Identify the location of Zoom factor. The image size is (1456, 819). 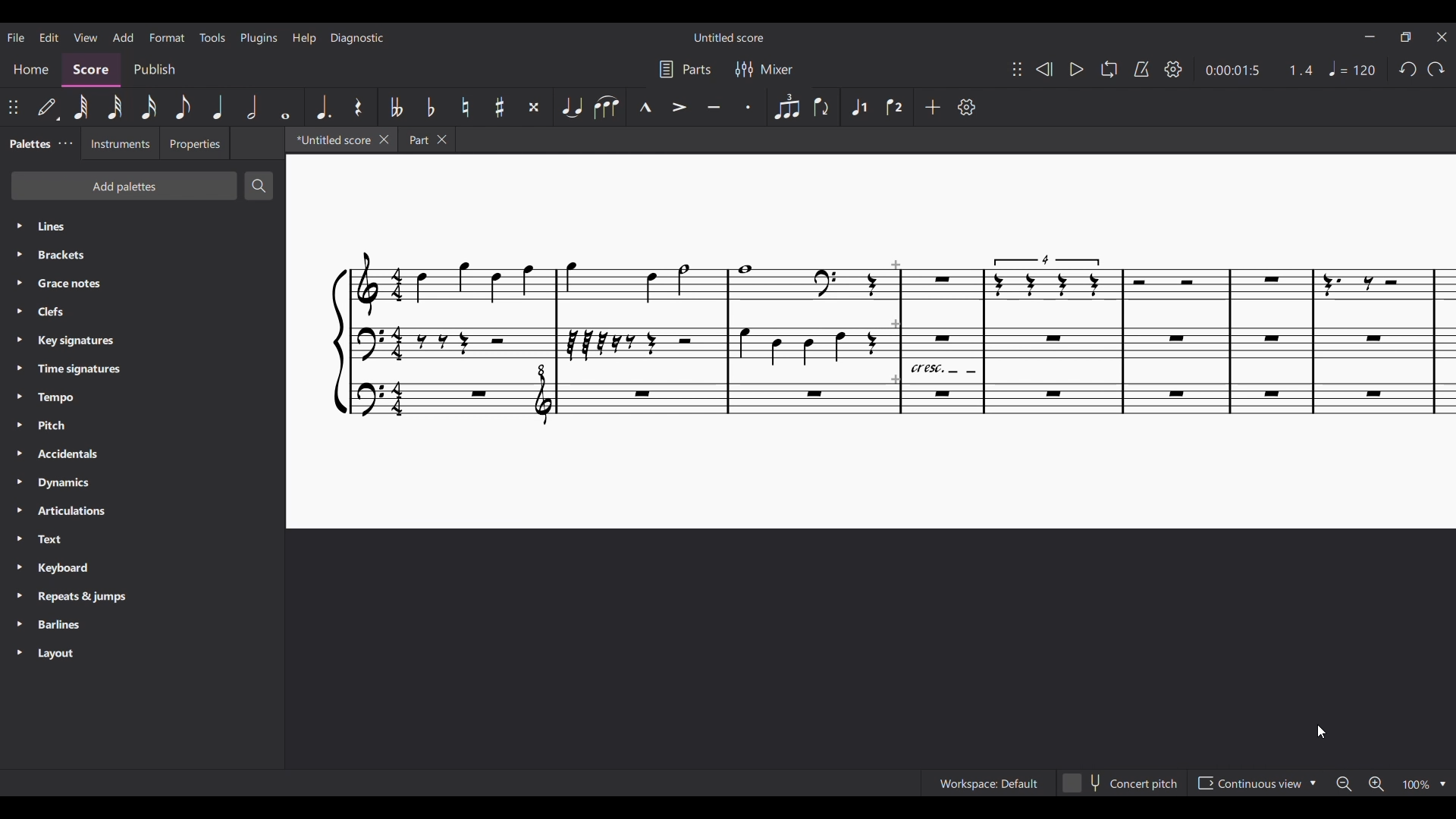
(1416, 786).